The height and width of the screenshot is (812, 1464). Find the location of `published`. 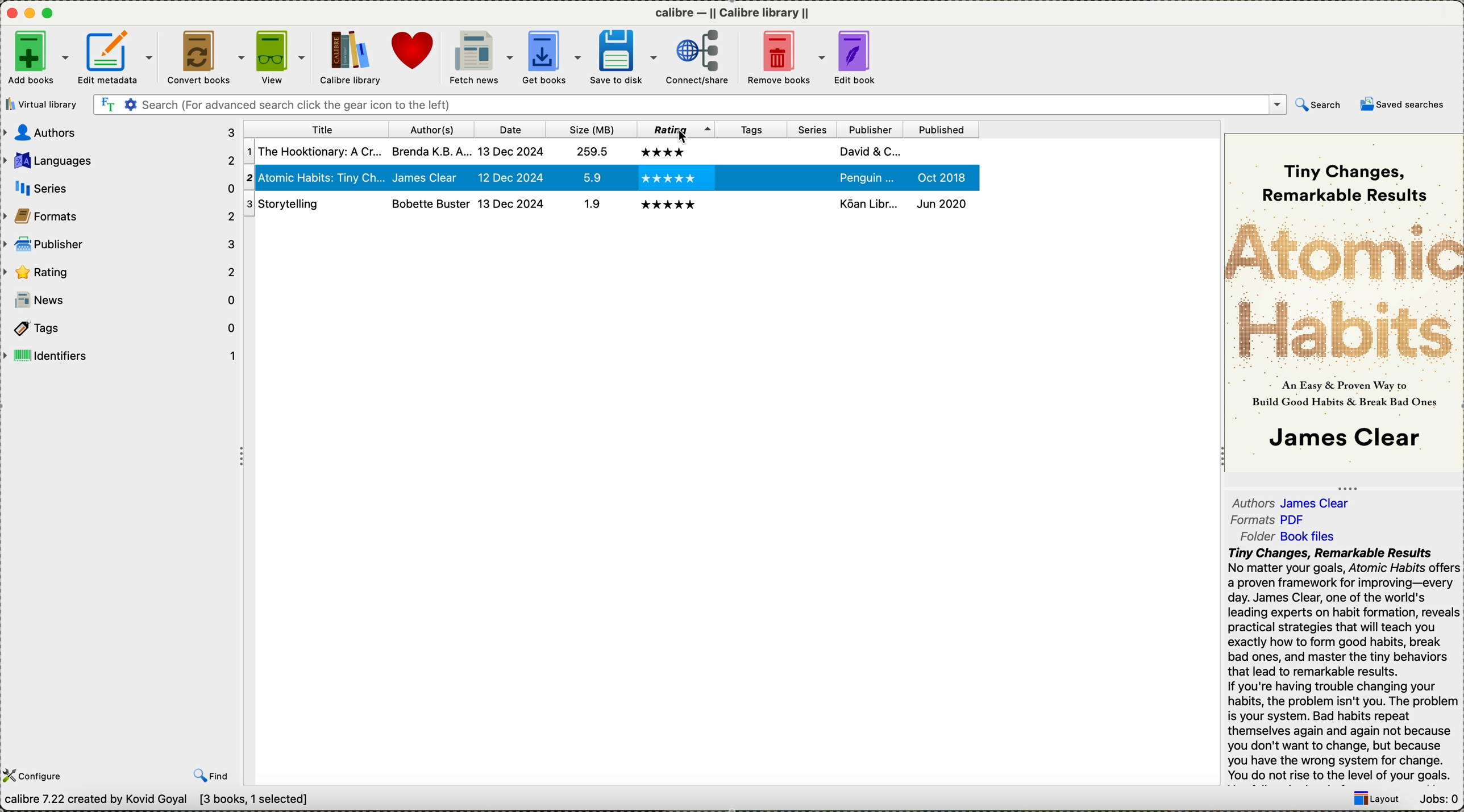

published is located at coordinates (938, 177).